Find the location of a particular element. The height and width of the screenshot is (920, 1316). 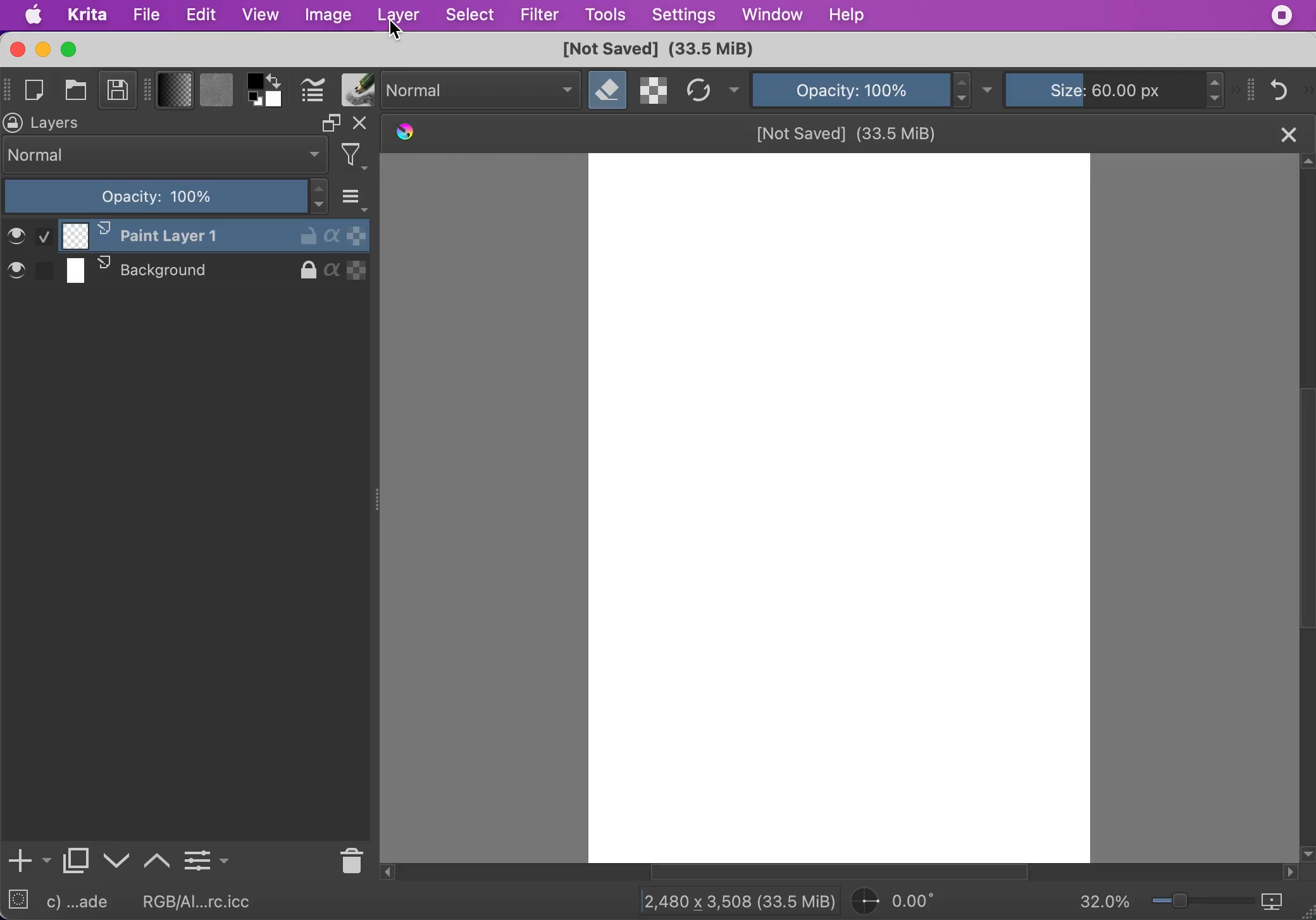

blending menu is located at coordinates (356, 196).